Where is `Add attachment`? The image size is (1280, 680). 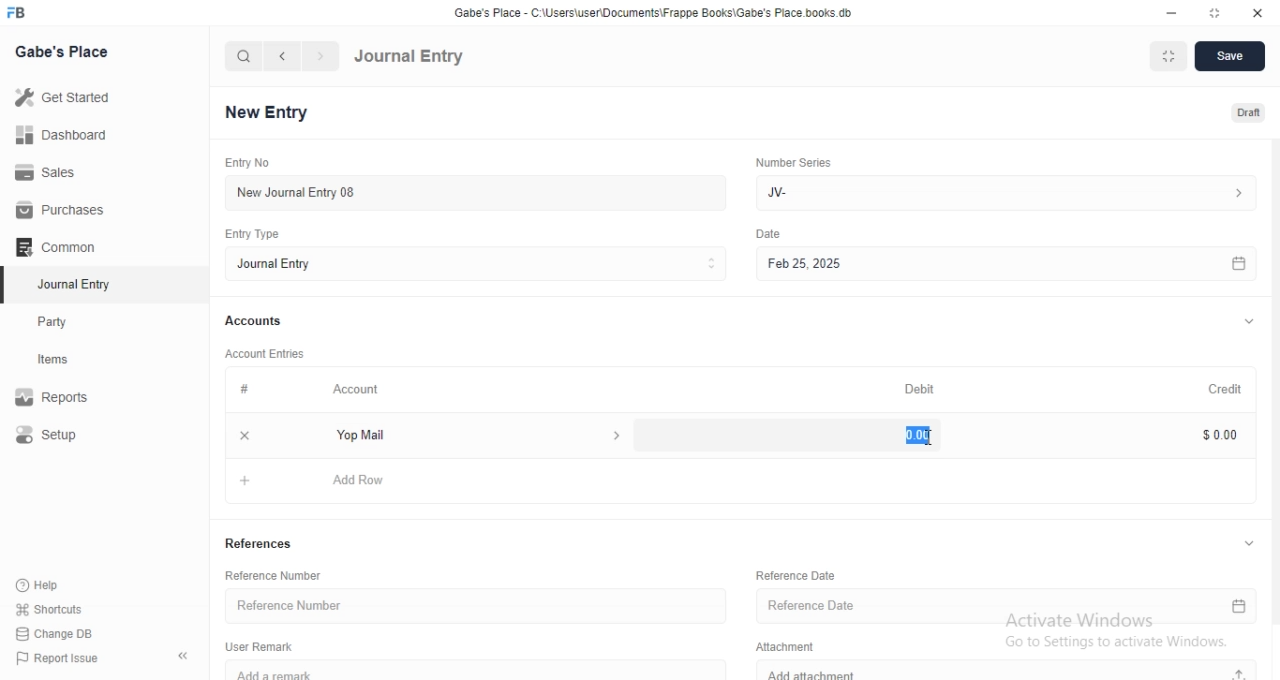 Add attachment is located at coordinates (1009, 671).